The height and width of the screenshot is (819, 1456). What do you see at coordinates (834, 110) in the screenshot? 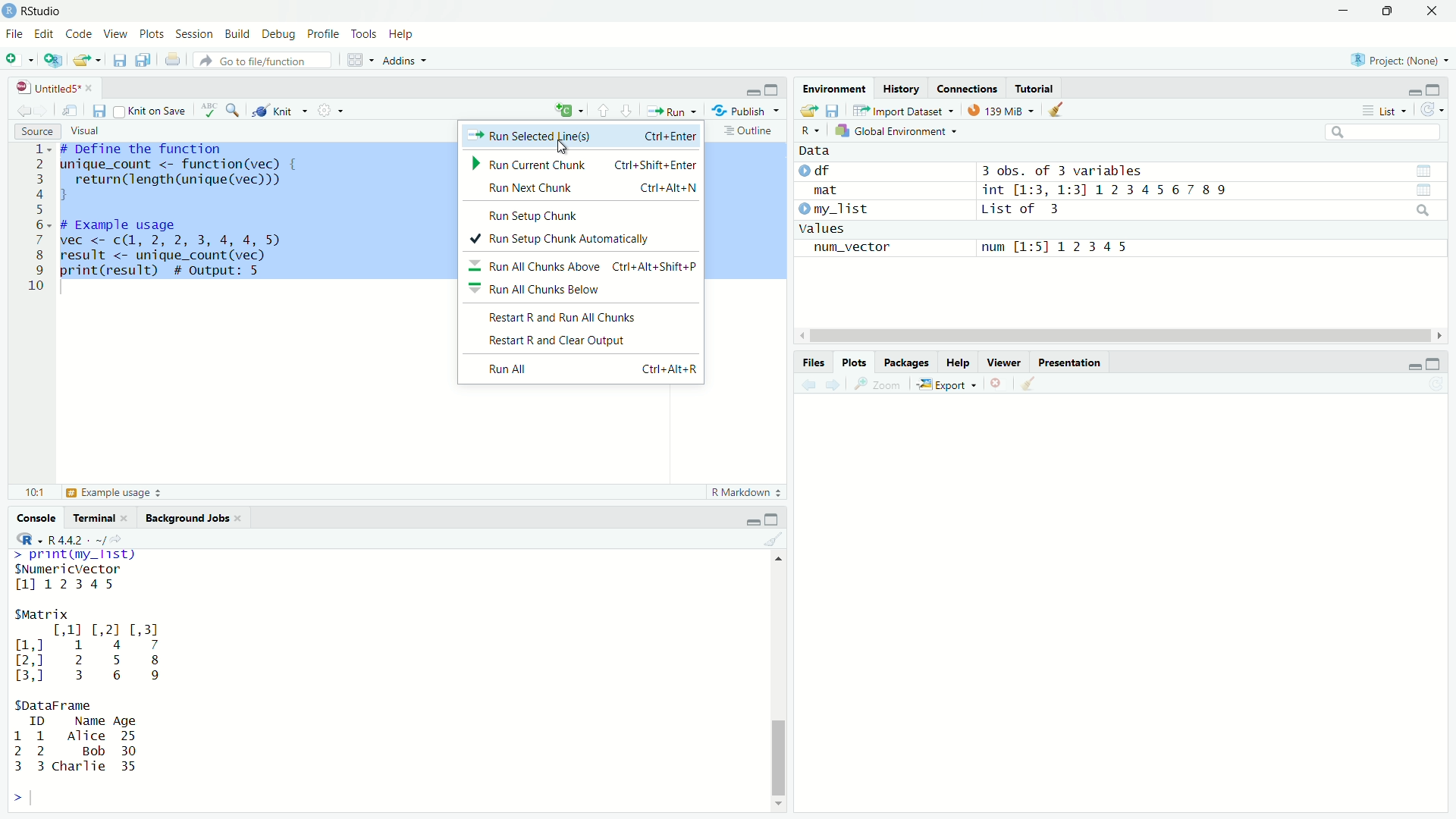
I see `save` at bounding box center [834, 110].